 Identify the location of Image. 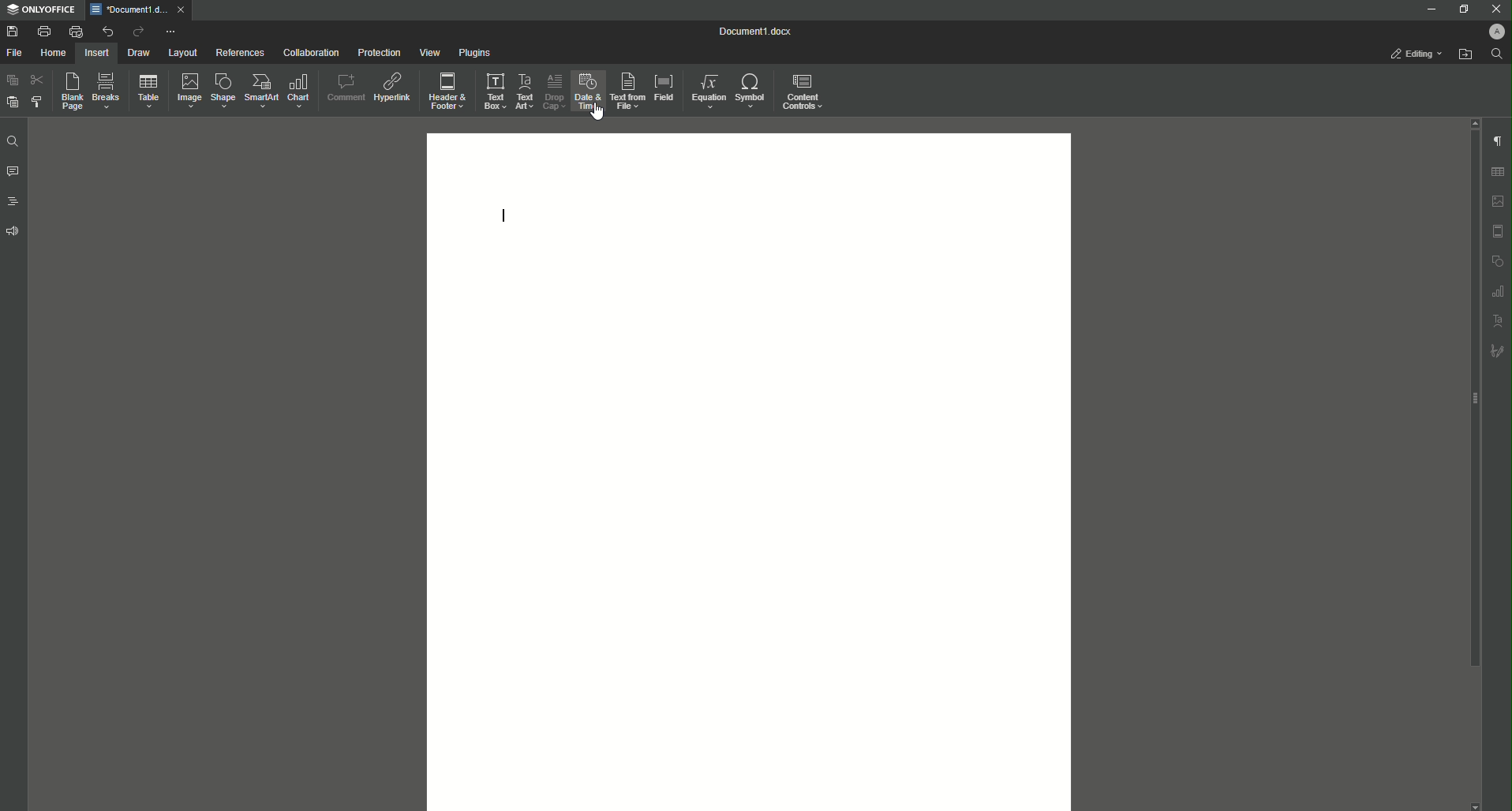
(185, 90).